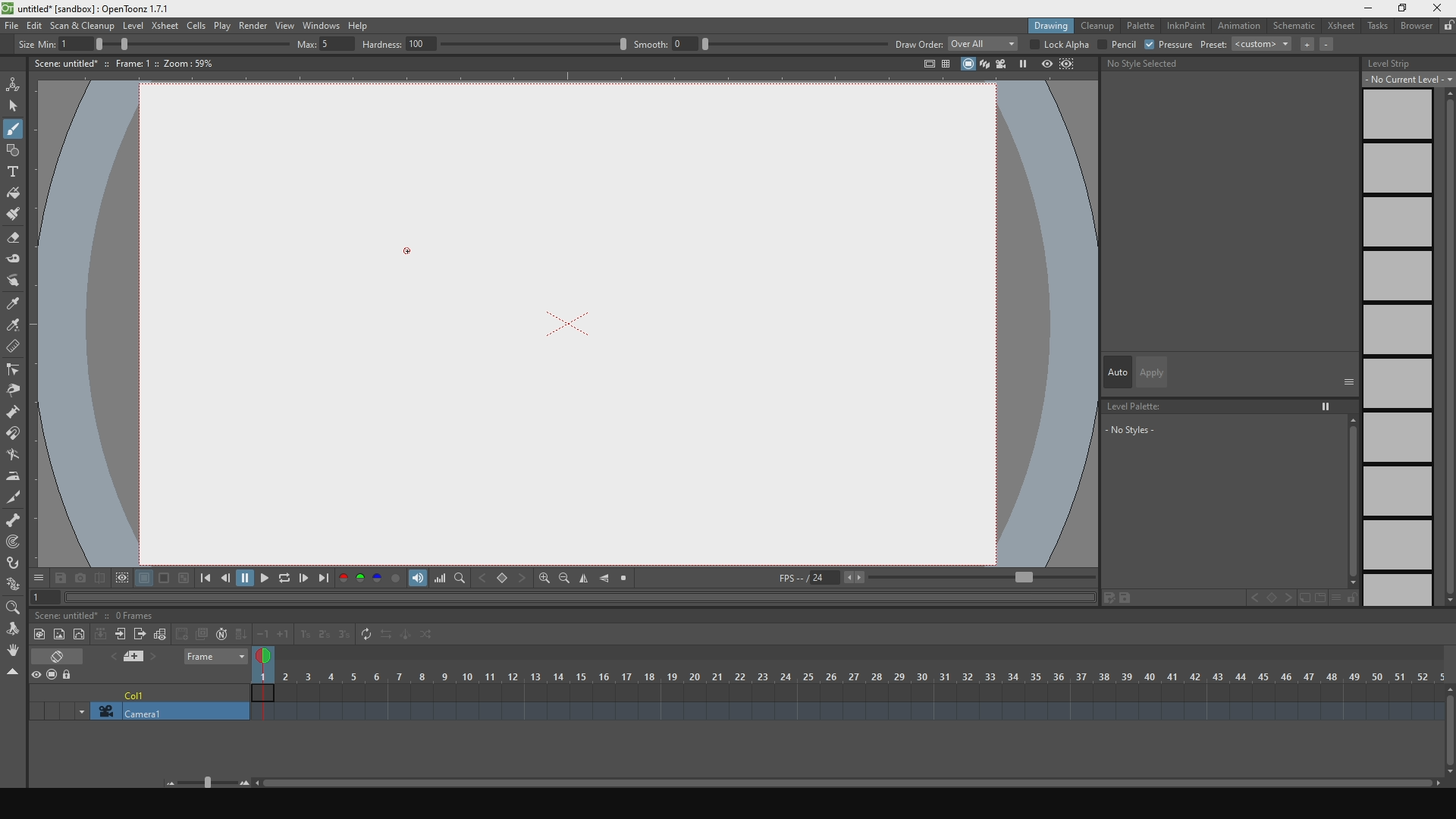 This screenshot has height=819, width=1456. What do you see at coordinates (417, 579) in the screenshot?
I see `show volume` at bounding box center [417, 579].